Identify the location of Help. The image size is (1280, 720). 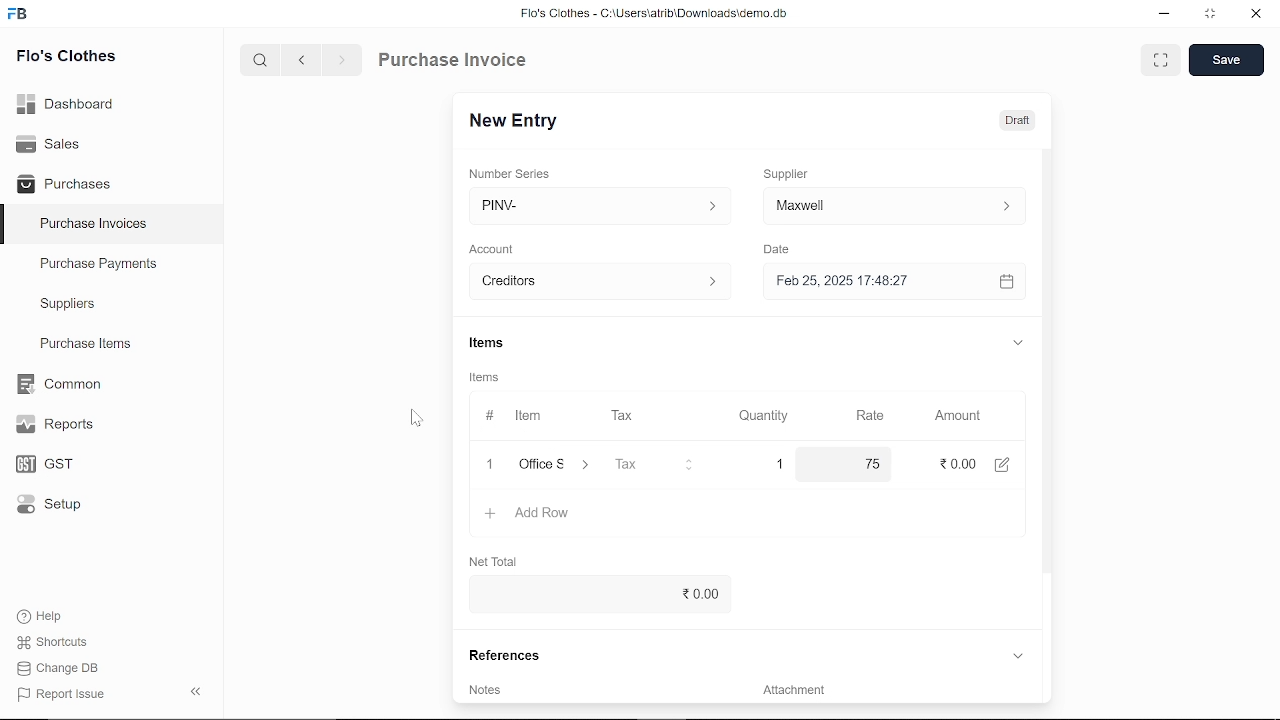
(42, 616).